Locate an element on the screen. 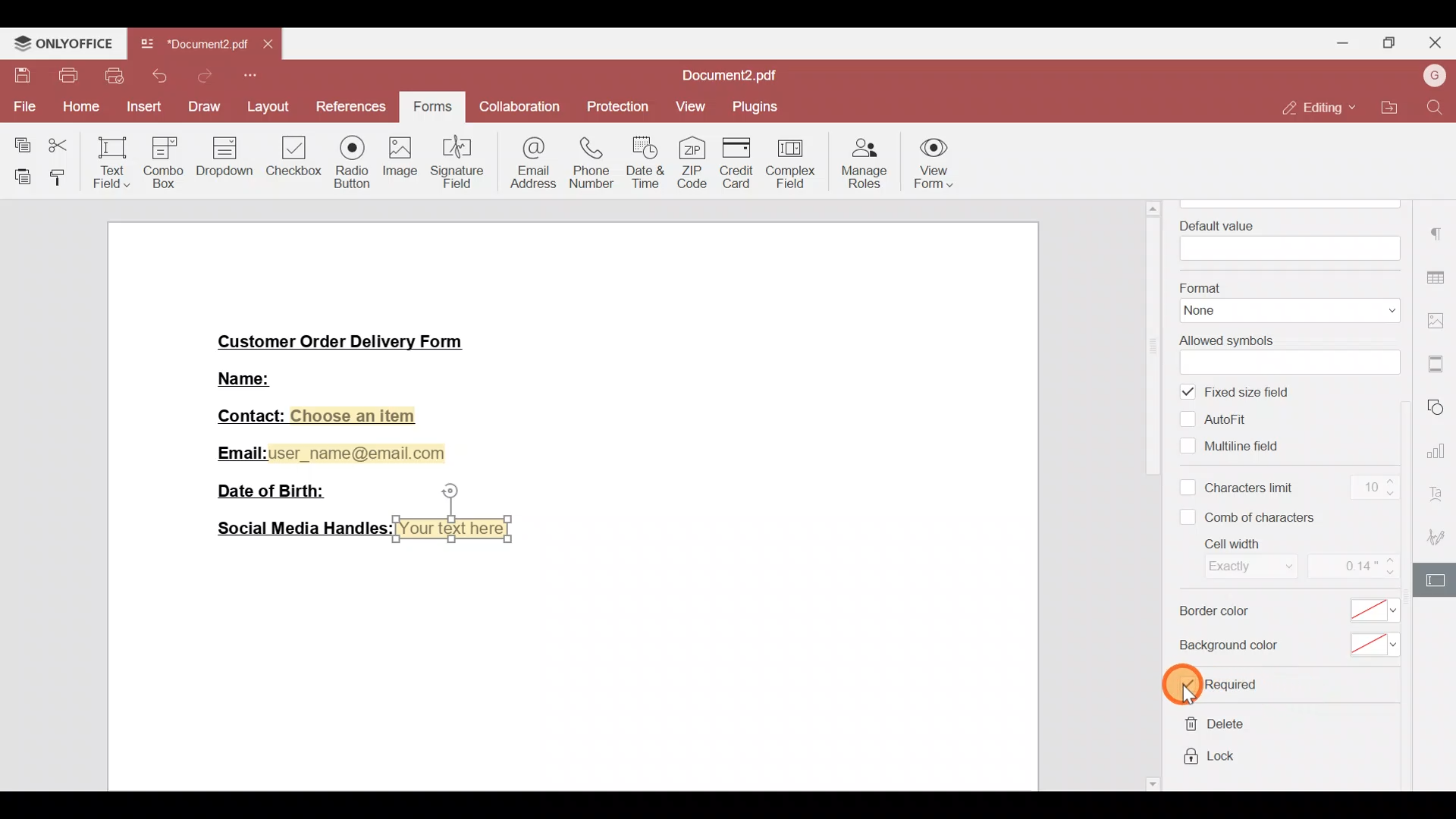  Save is located at coordinates (17, 76).